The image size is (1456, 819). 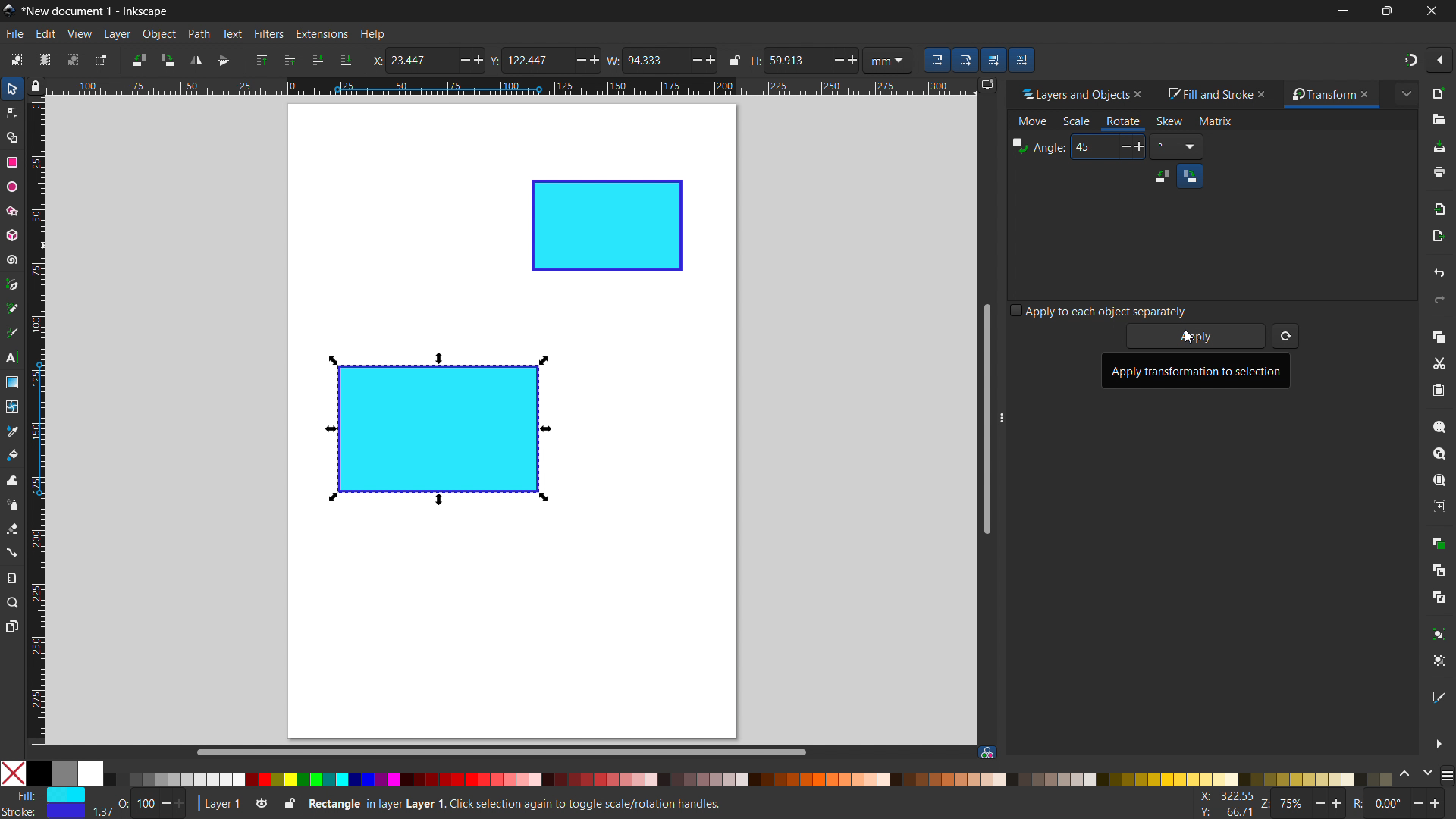 I want to click on when  locked change height and width proportionally , so click(x=735, y=60).